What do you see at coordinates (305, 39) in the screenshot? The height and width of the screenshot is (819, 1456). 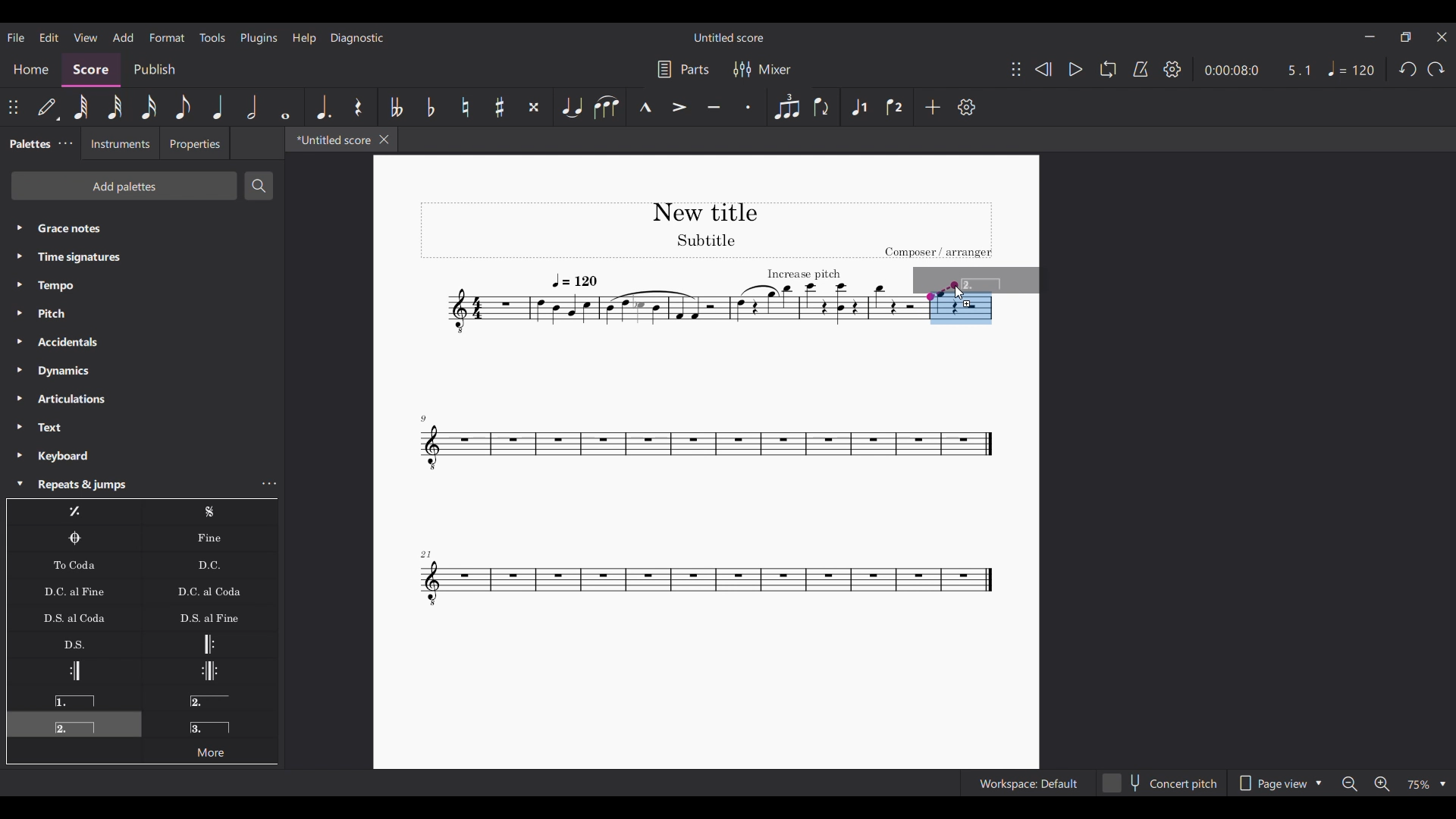 I see `Help menu` at bounding box center [305, 39].